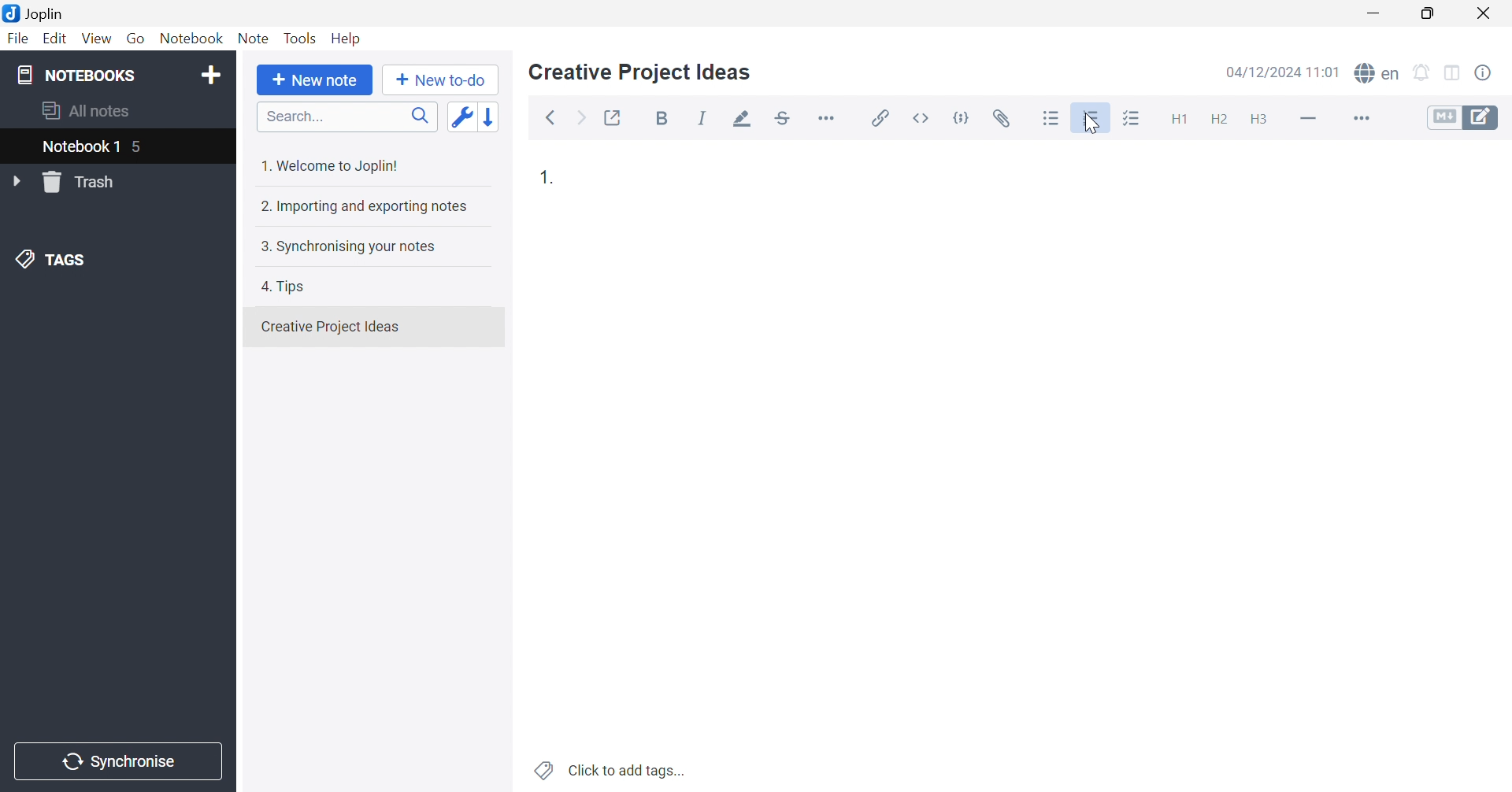 Image resolution: width=1512 pixels, height=792 pixels. I want to click on Restore Down, so click(1435, 15).